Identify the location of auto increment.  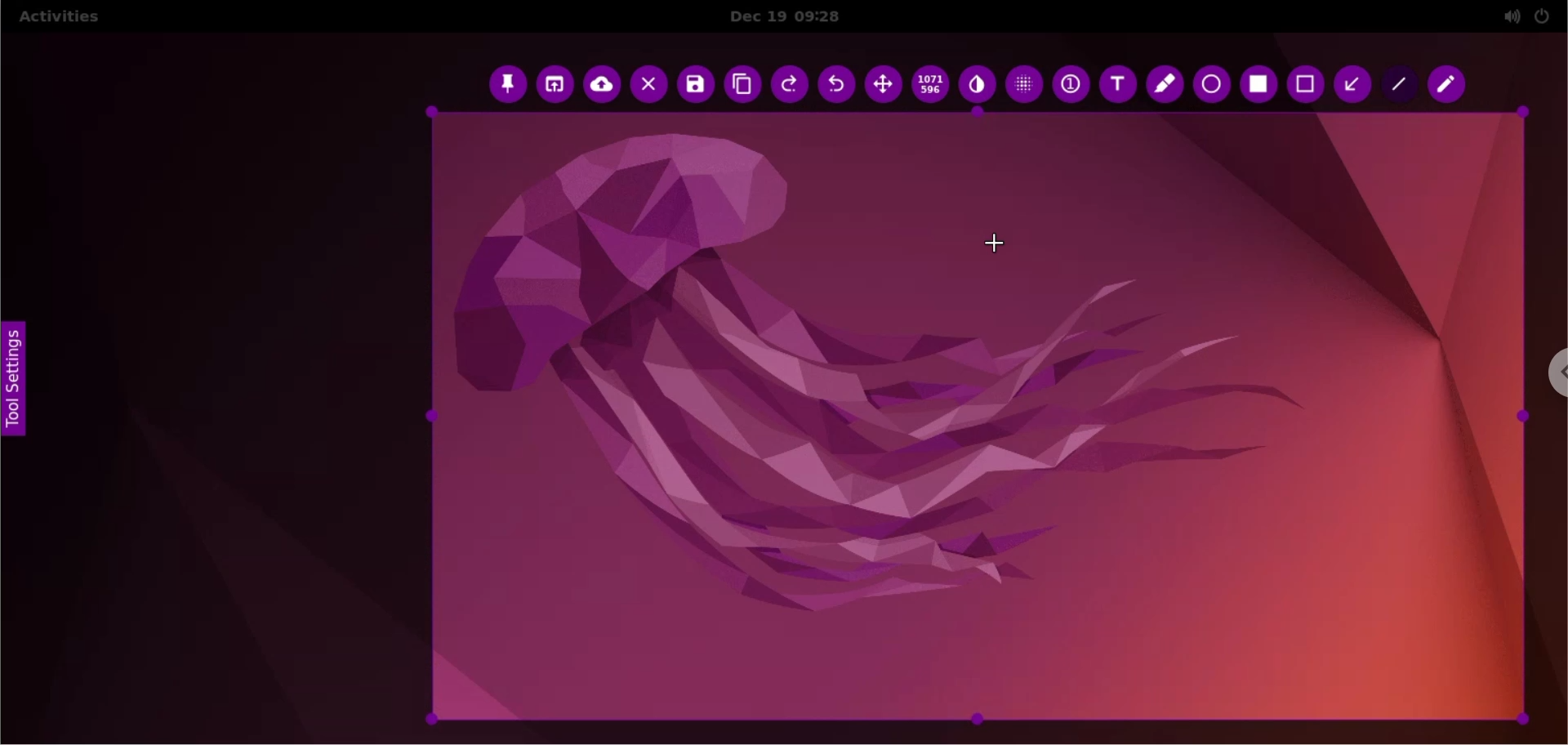
(1070, 87).